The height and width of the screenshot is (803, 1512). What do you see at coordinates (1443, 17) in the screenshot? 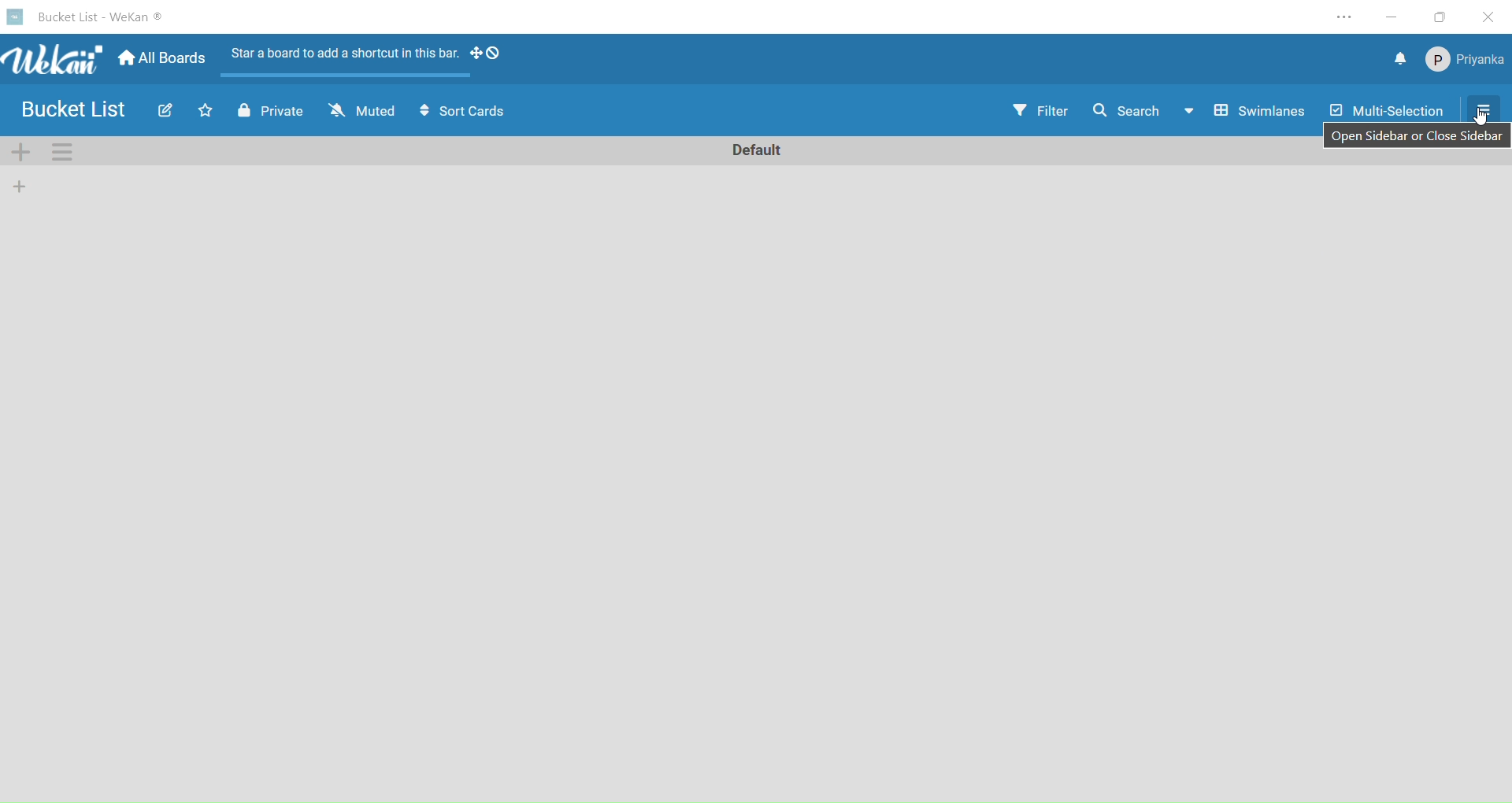
I see `maximize` at bounding box center [1443, 17].